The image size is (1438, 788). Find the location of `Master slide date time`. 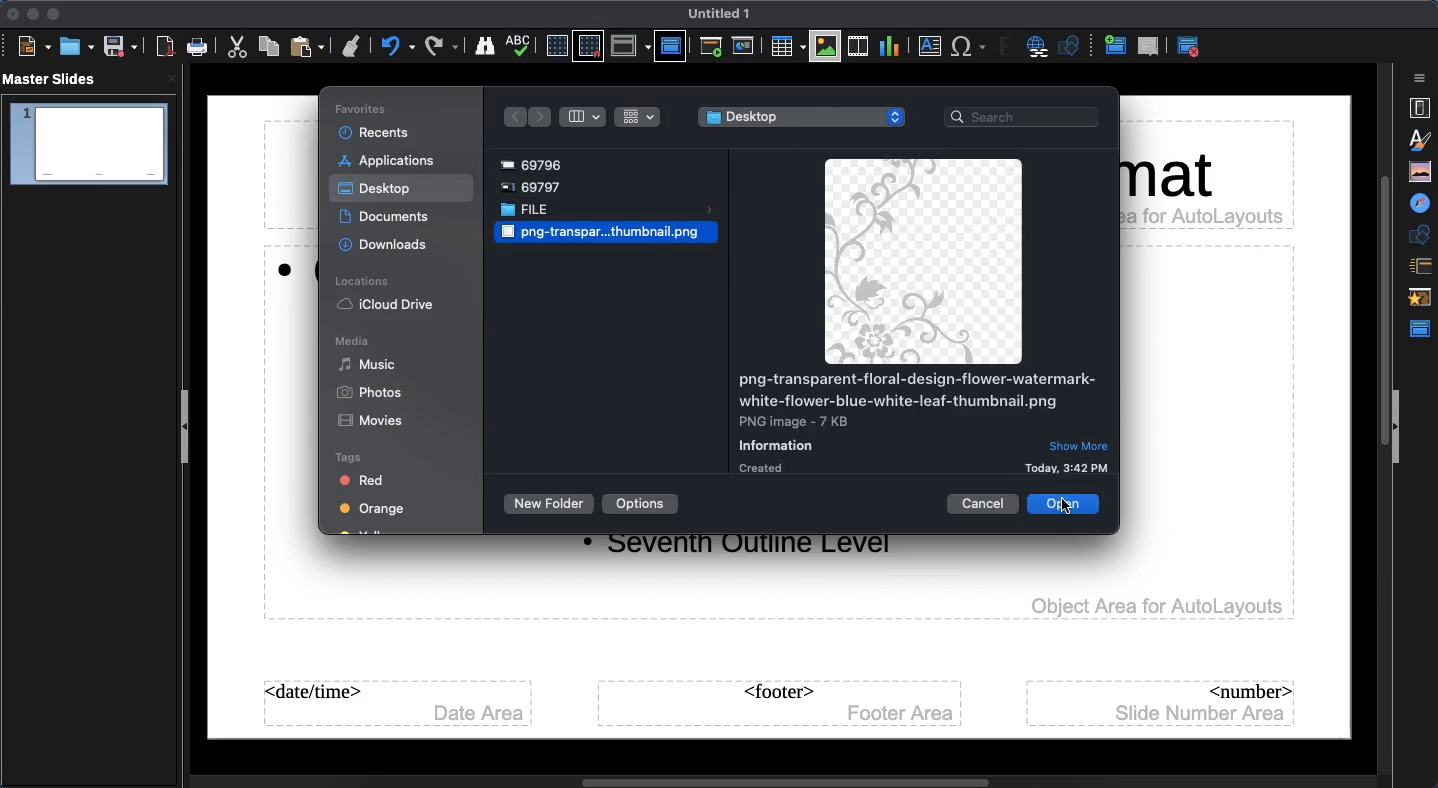

Master slide date time is located at coordinates (394, 704).